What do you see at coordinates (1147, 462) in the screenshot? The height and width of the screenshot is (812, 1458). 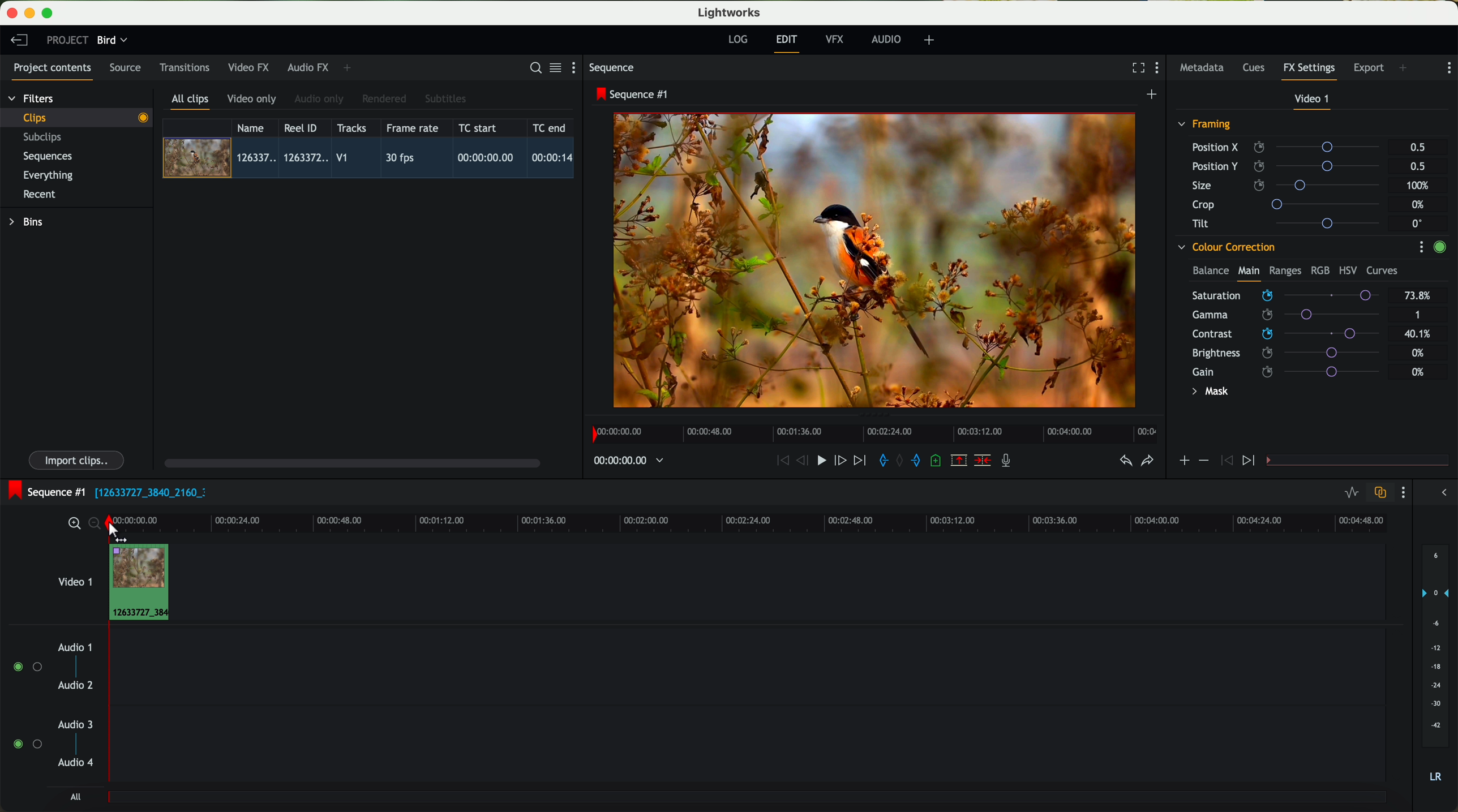 I see `redo` at bounding box center [1147, 462].